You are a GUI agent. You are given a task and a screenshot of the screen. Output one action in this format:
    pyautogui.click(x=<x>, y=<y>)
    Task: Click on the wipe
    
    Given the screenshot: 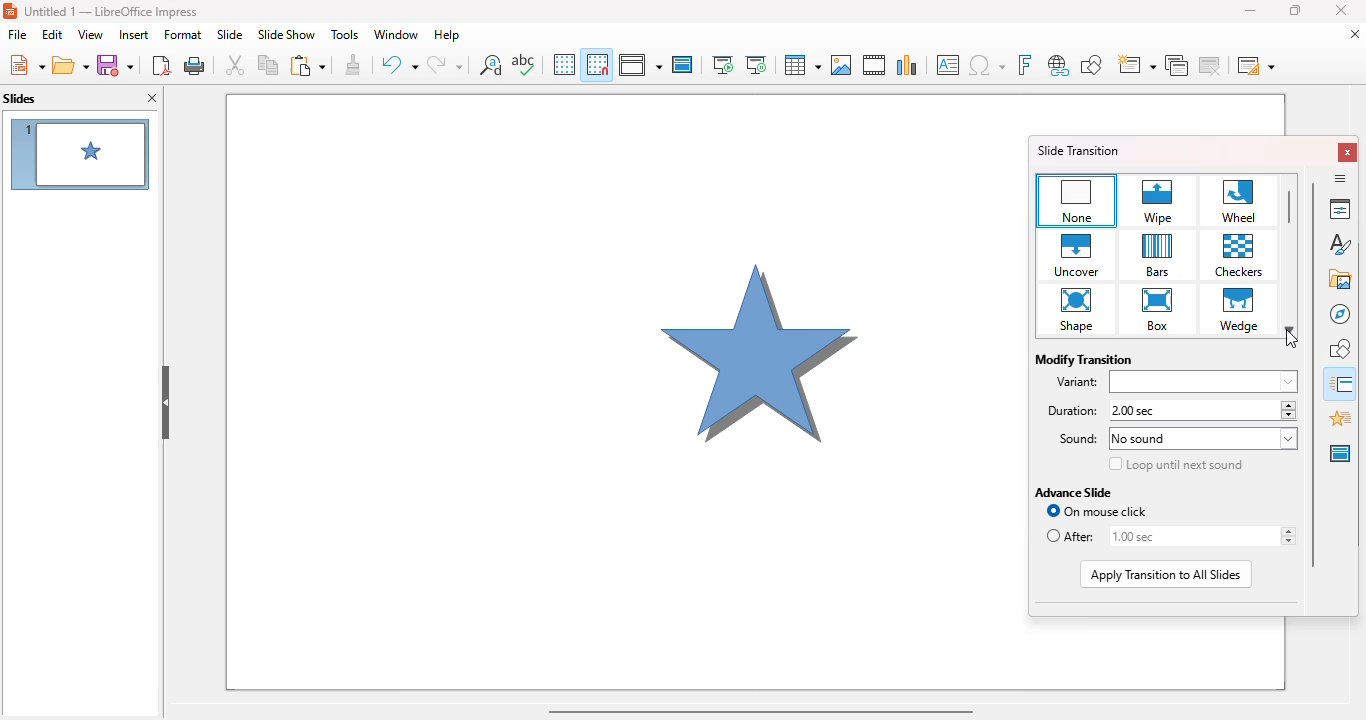 What is the action you would take?
    pyautogui.click(x=1158, y=201)
    